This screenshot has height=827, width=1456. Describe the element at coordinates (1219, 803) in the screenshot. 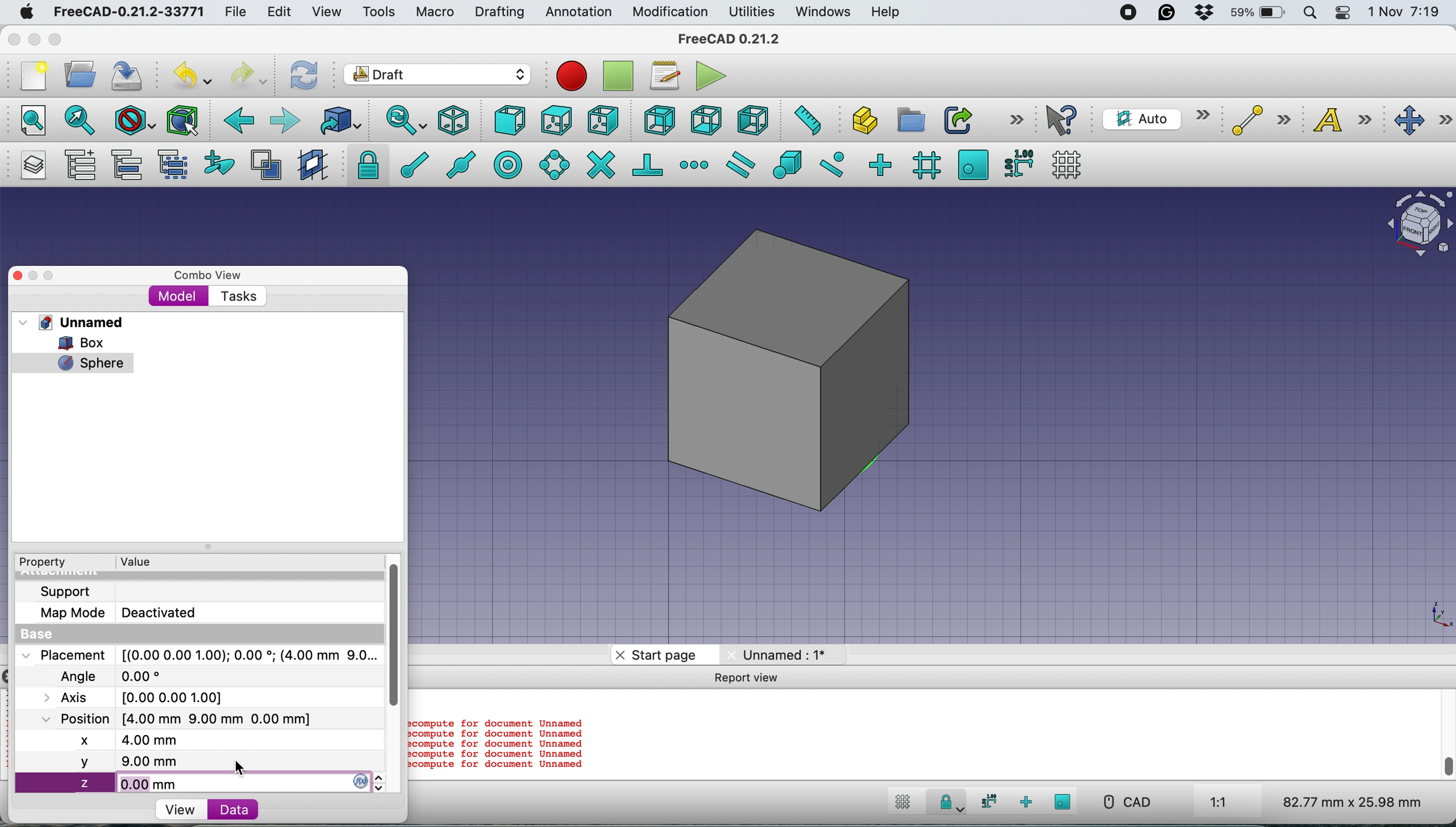

I see `aspect ratio` at that location.